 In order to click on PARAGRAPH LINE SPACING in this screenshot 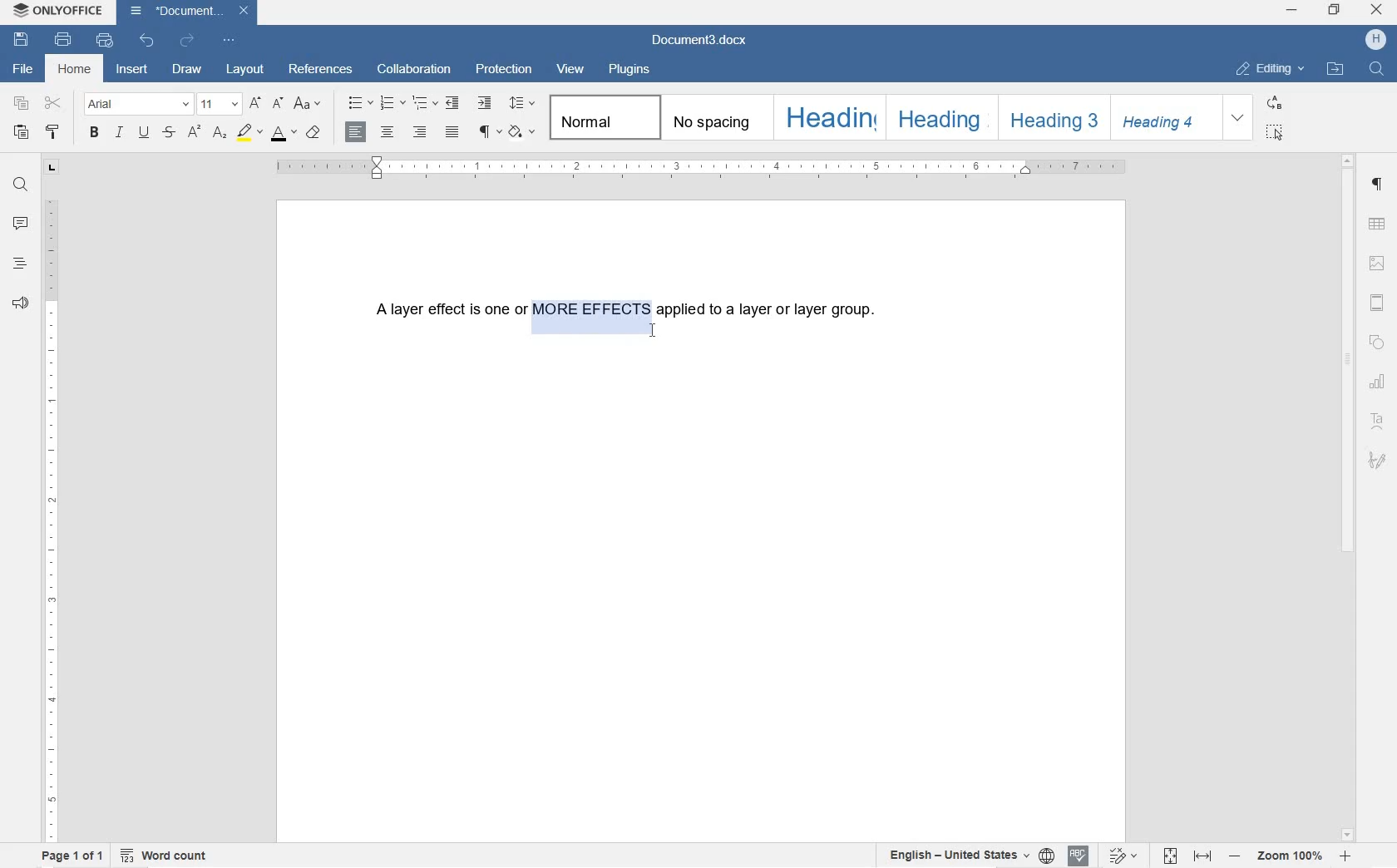, I will do `click(525, 104)`.